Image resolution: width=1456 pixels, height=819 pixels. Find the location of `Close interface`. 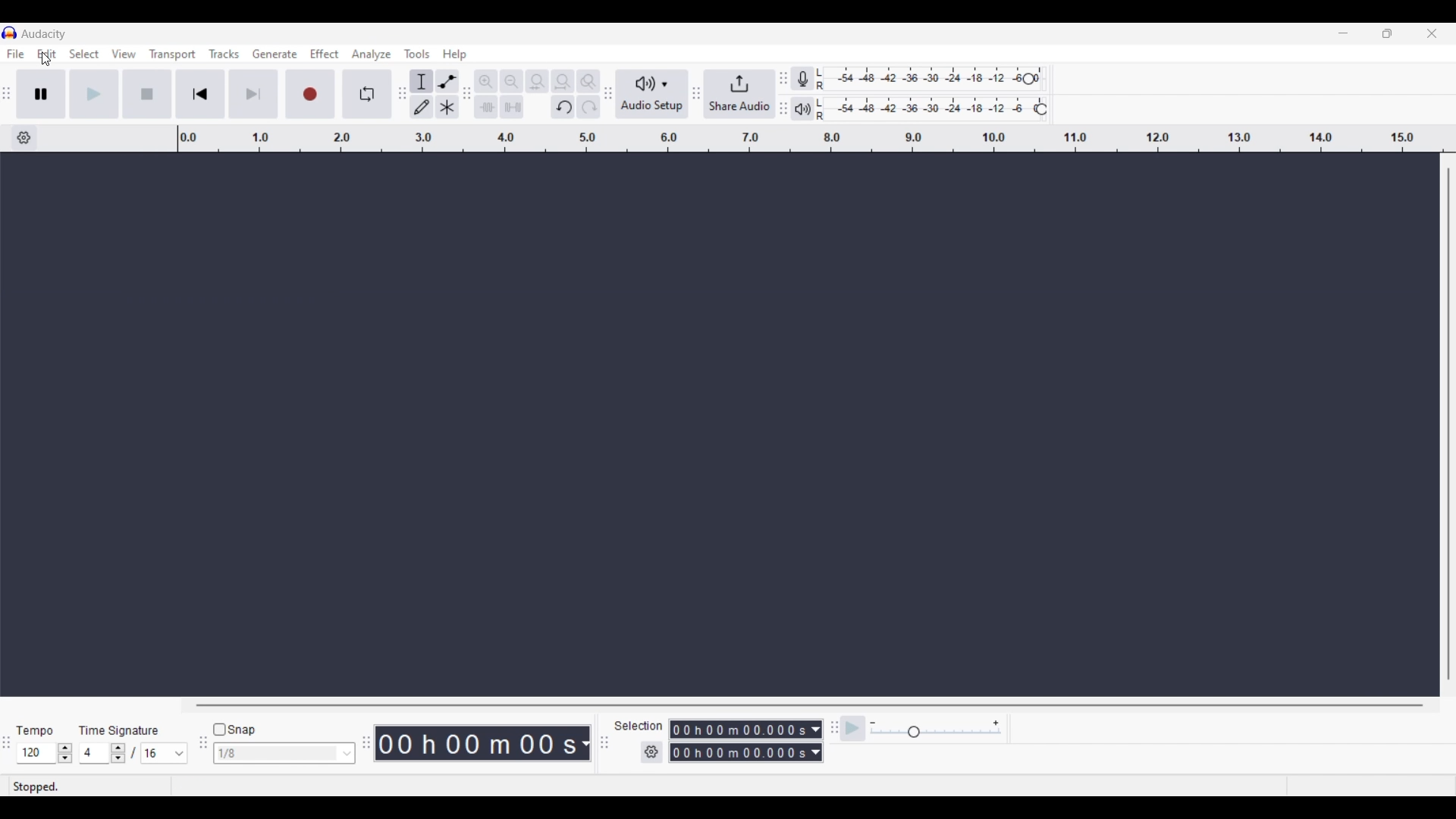

Close interface is located at coordinates (1432, 33).